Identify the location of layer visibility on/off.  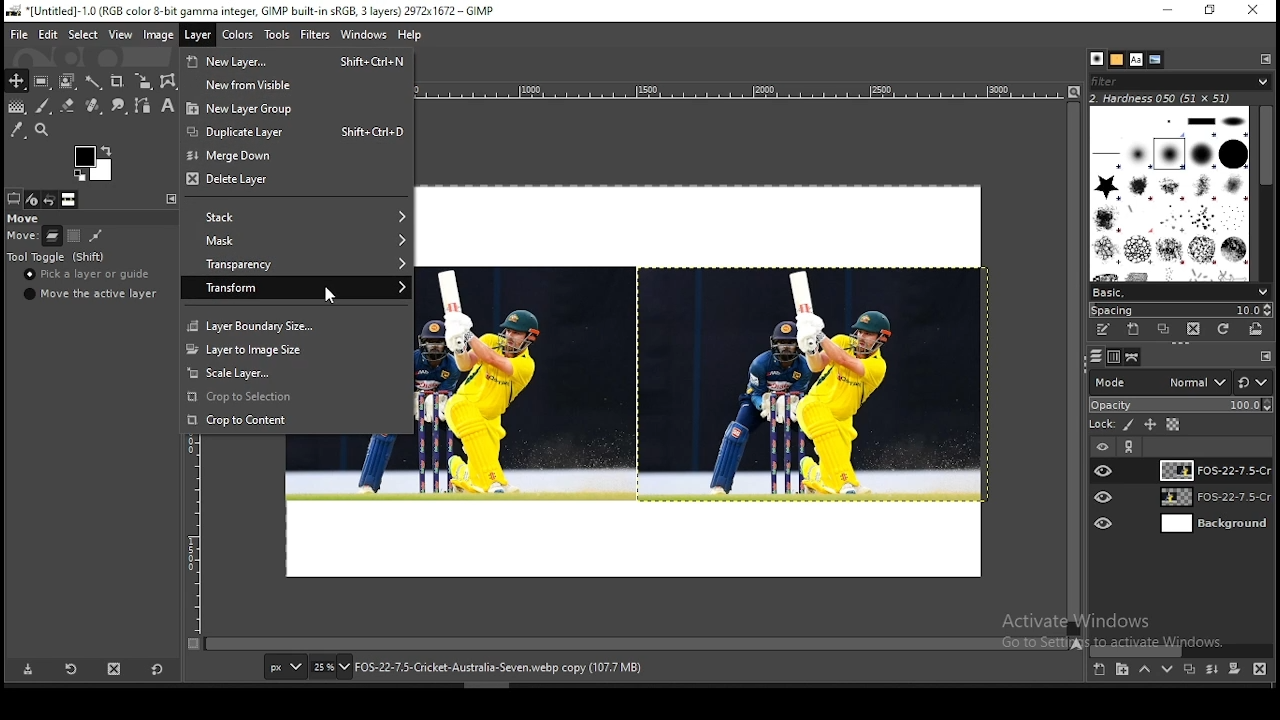
(1105, 497).